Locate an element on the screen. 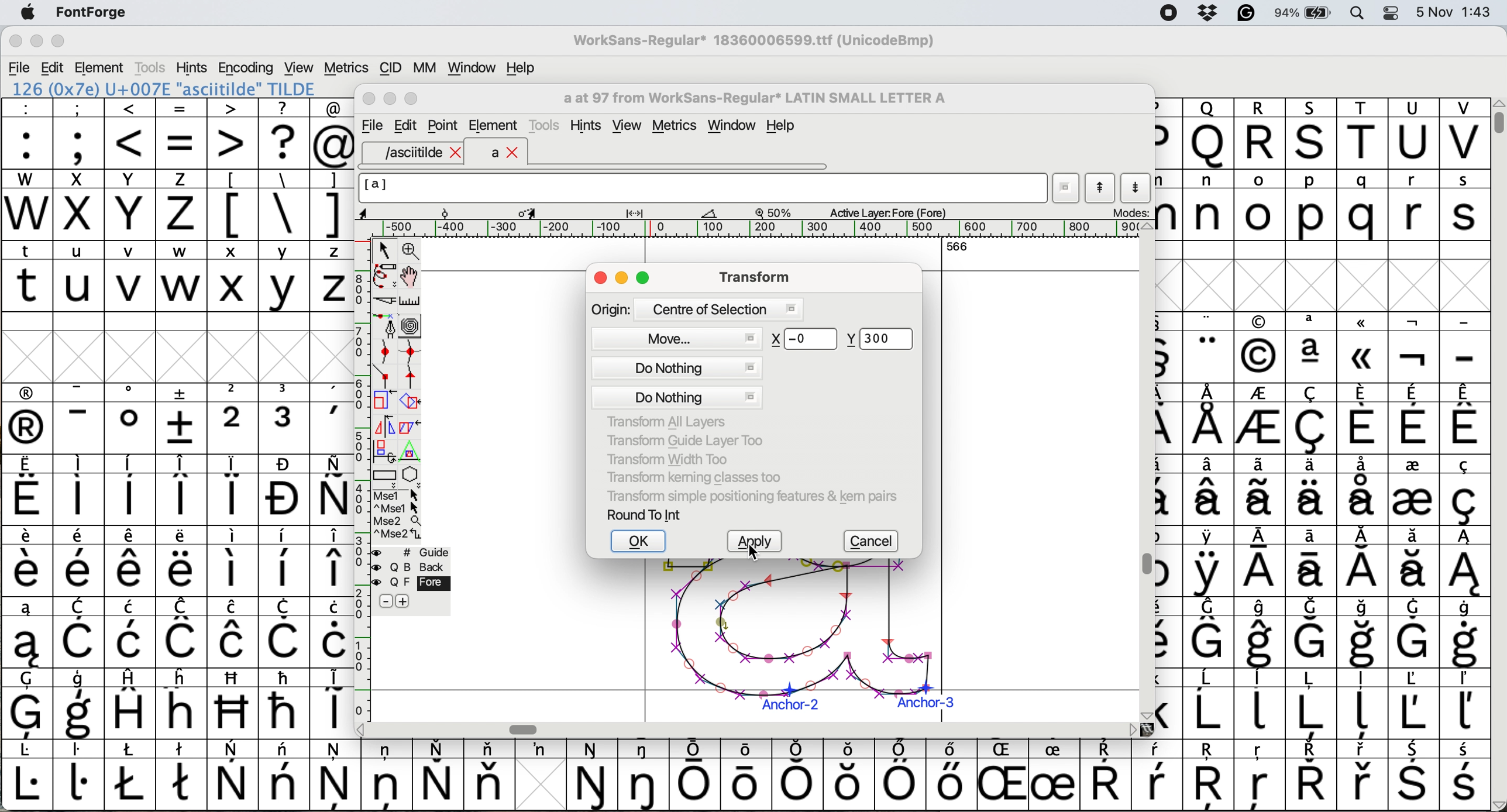  symbol is located at coordinates (1413, 419).